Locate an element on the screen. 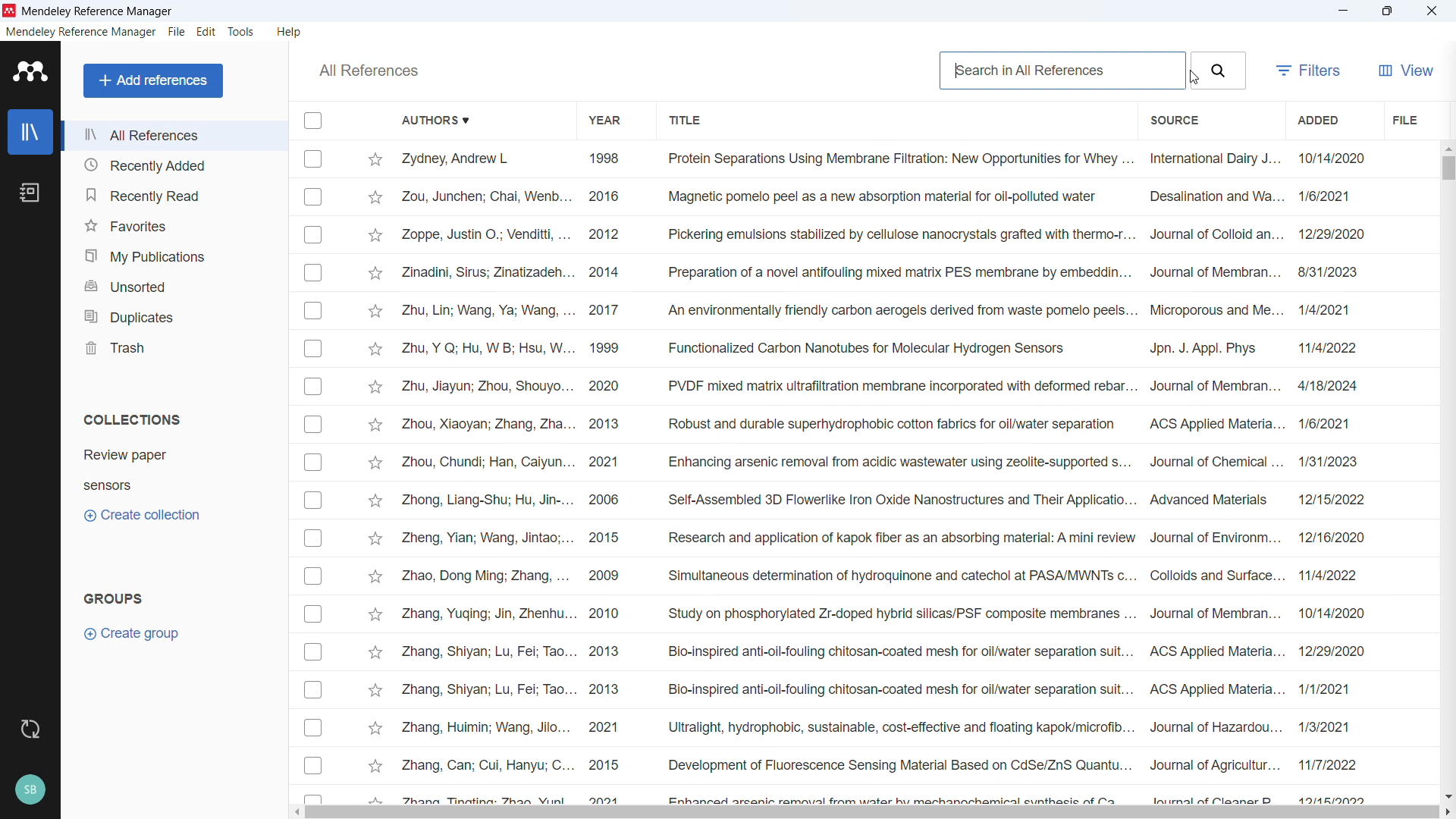 This screenshot has width=1456, height=819. library is located at coordinates (30, 131).